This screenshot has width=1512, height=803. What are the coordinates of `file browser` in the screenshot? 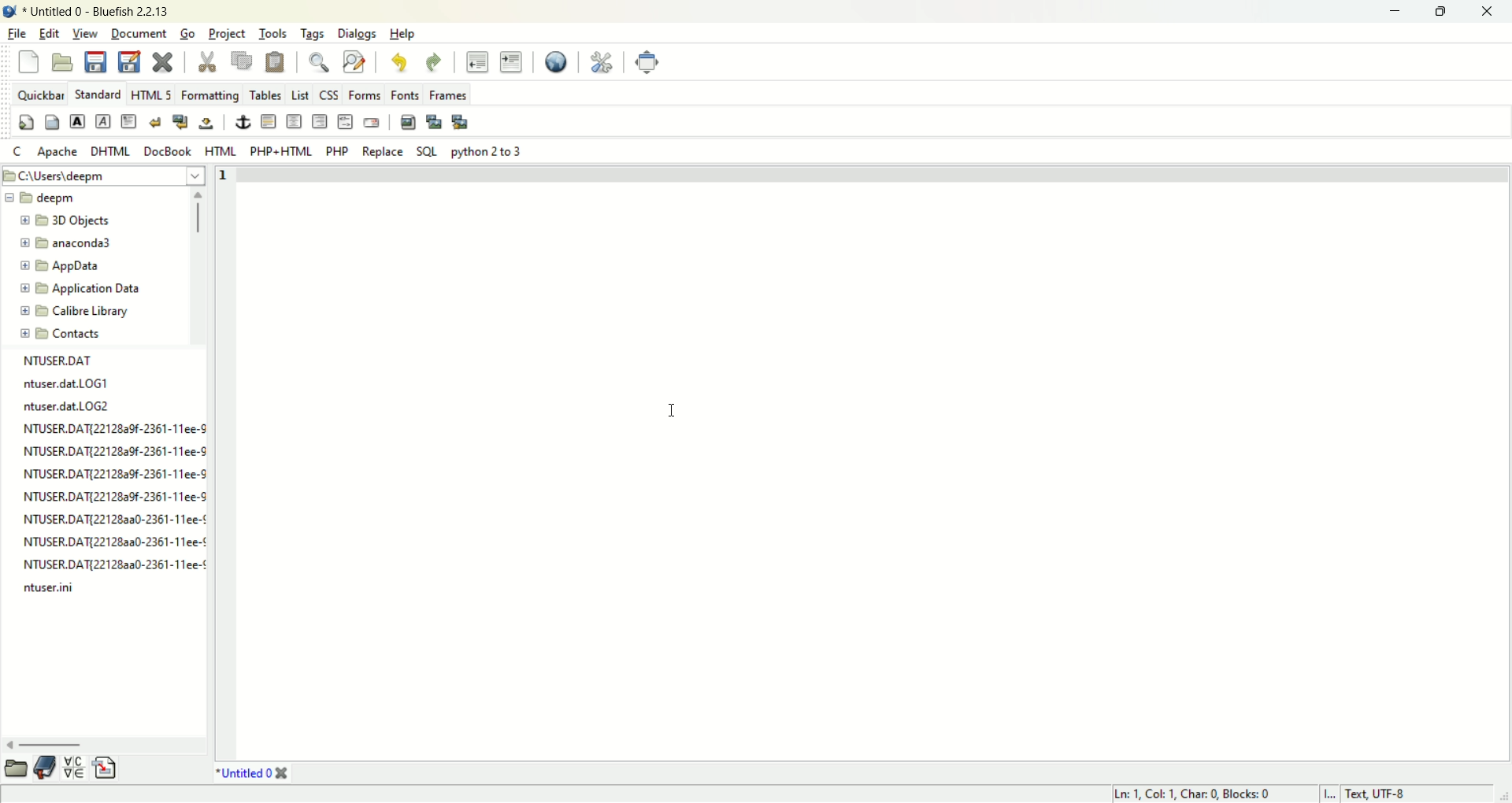 It's located at (16, 768).